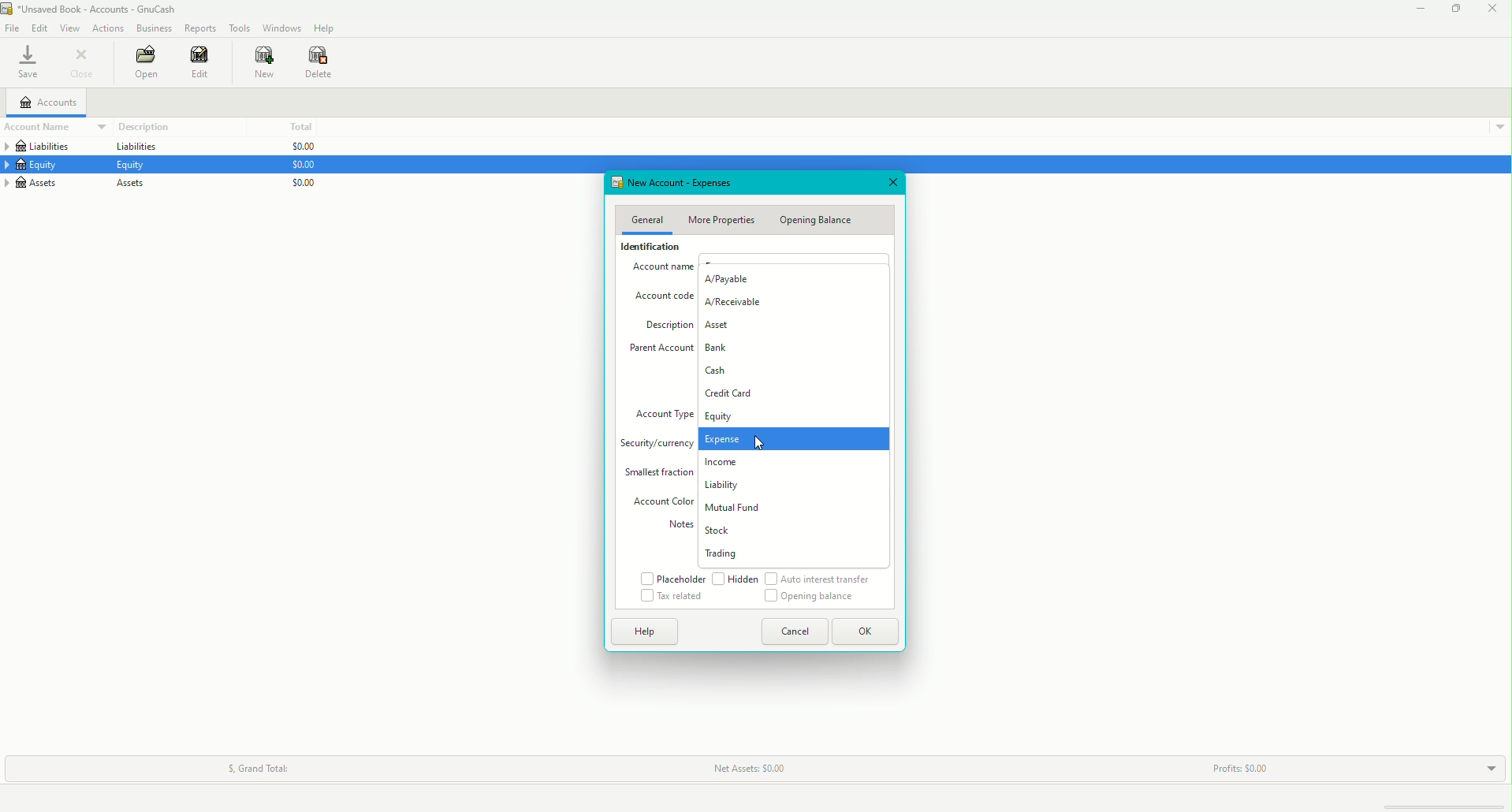 Image resolution: width=1512 pixels, height=812 pixels. Describe the element at coordinates (261, 63) in the screenshot. I see `New` at that location.